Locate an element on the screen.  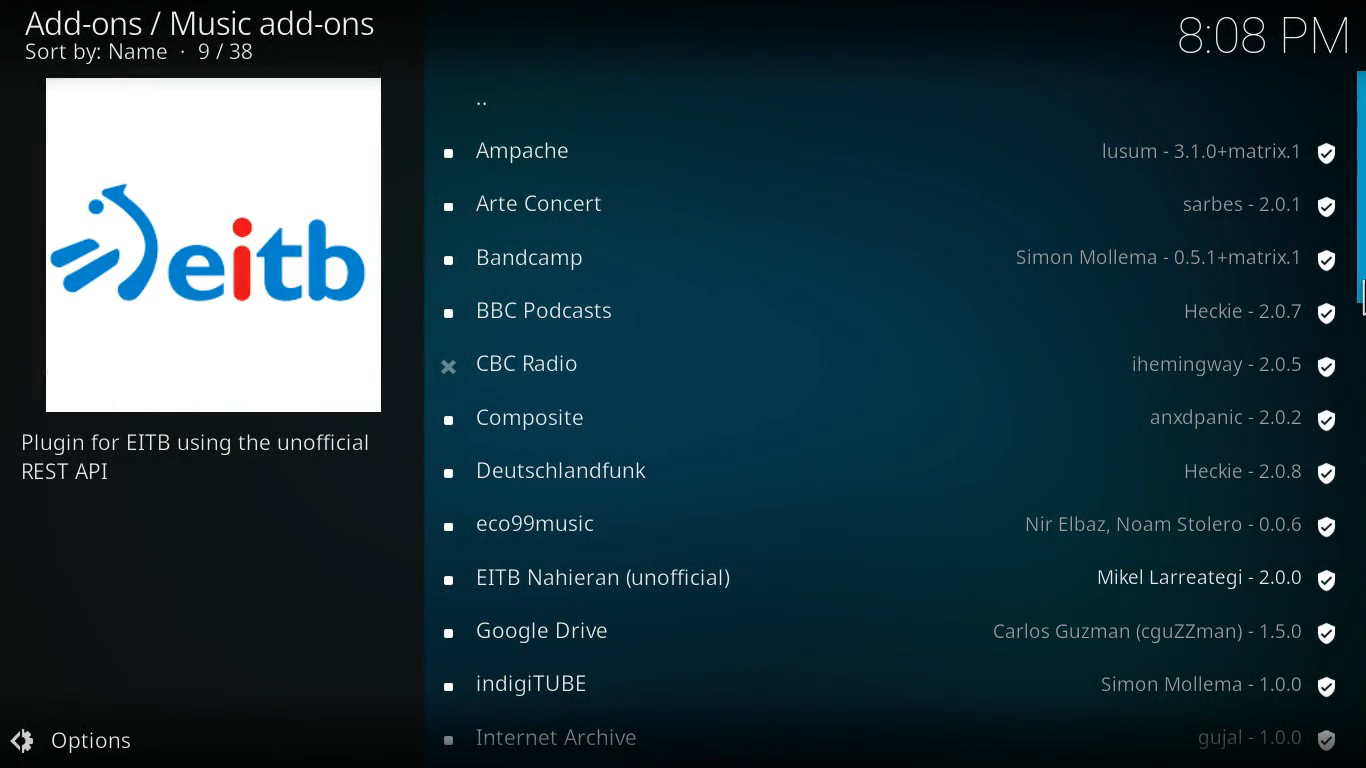
add-ons is located at coordinates (528, 687).